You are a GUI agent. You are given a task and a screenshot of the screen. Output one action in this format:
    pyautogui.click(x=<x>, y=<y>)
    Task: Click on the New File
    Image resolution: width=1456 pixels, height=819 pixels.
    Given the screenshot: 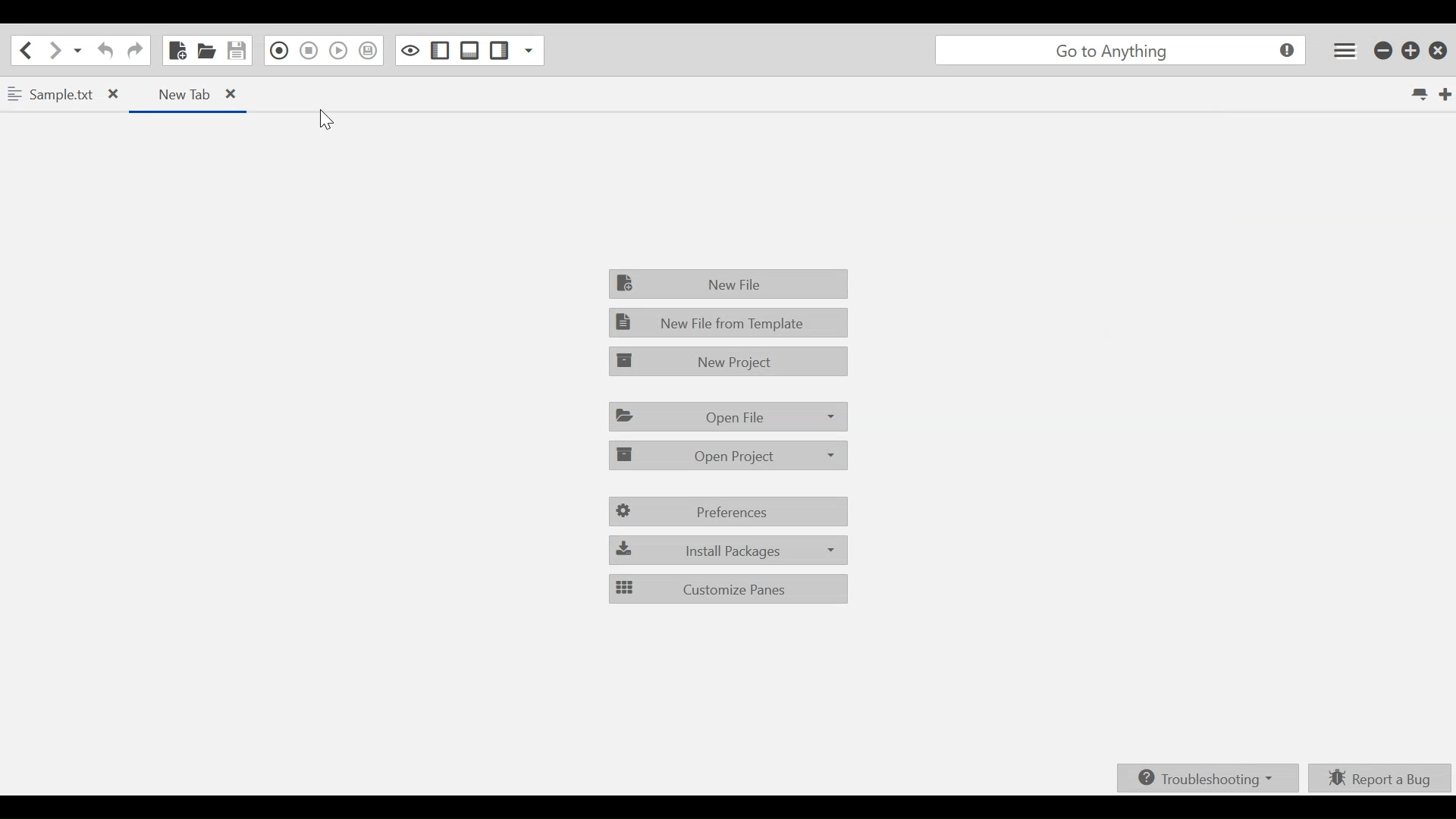 What is the action you would take?
    pyautogui.click(x=179, y=50)
    